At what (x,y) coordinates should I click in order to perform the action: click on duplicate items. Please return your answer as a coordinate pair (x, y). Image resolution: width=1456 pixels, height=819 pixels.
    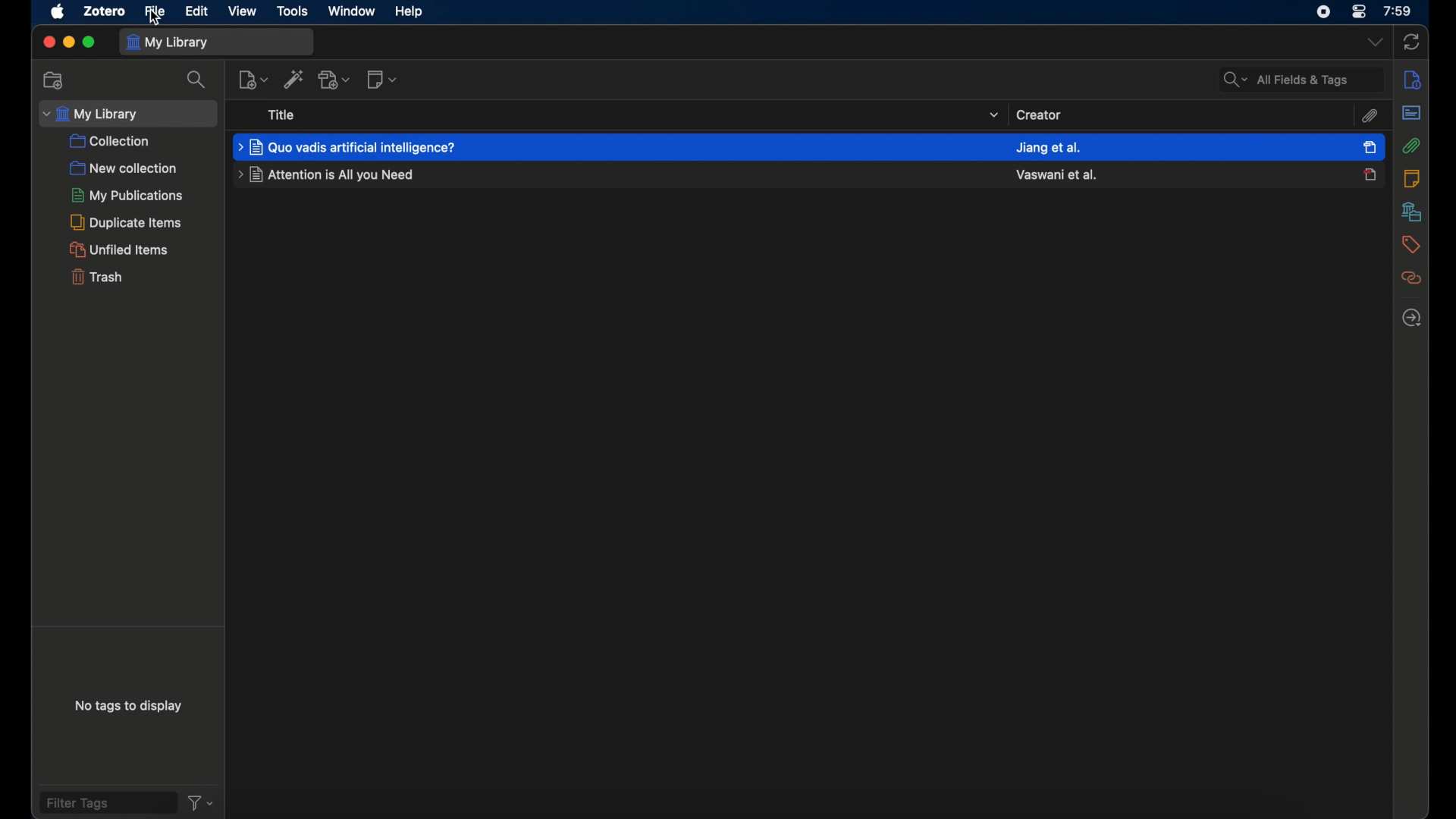
    Looking at the image, I should click on (127, 222).